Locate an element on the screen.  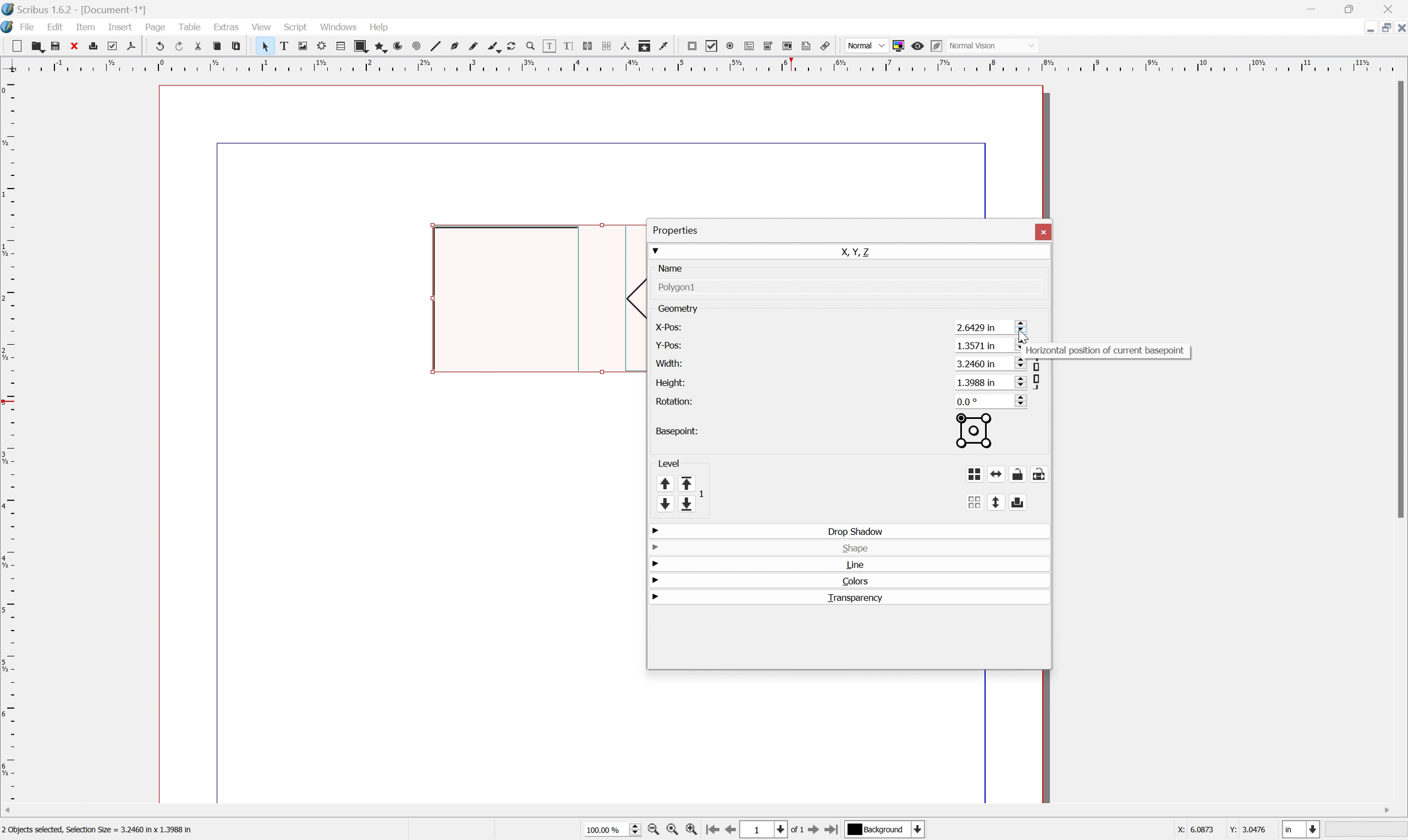
flip vertically is located at coordinates (999, 502).